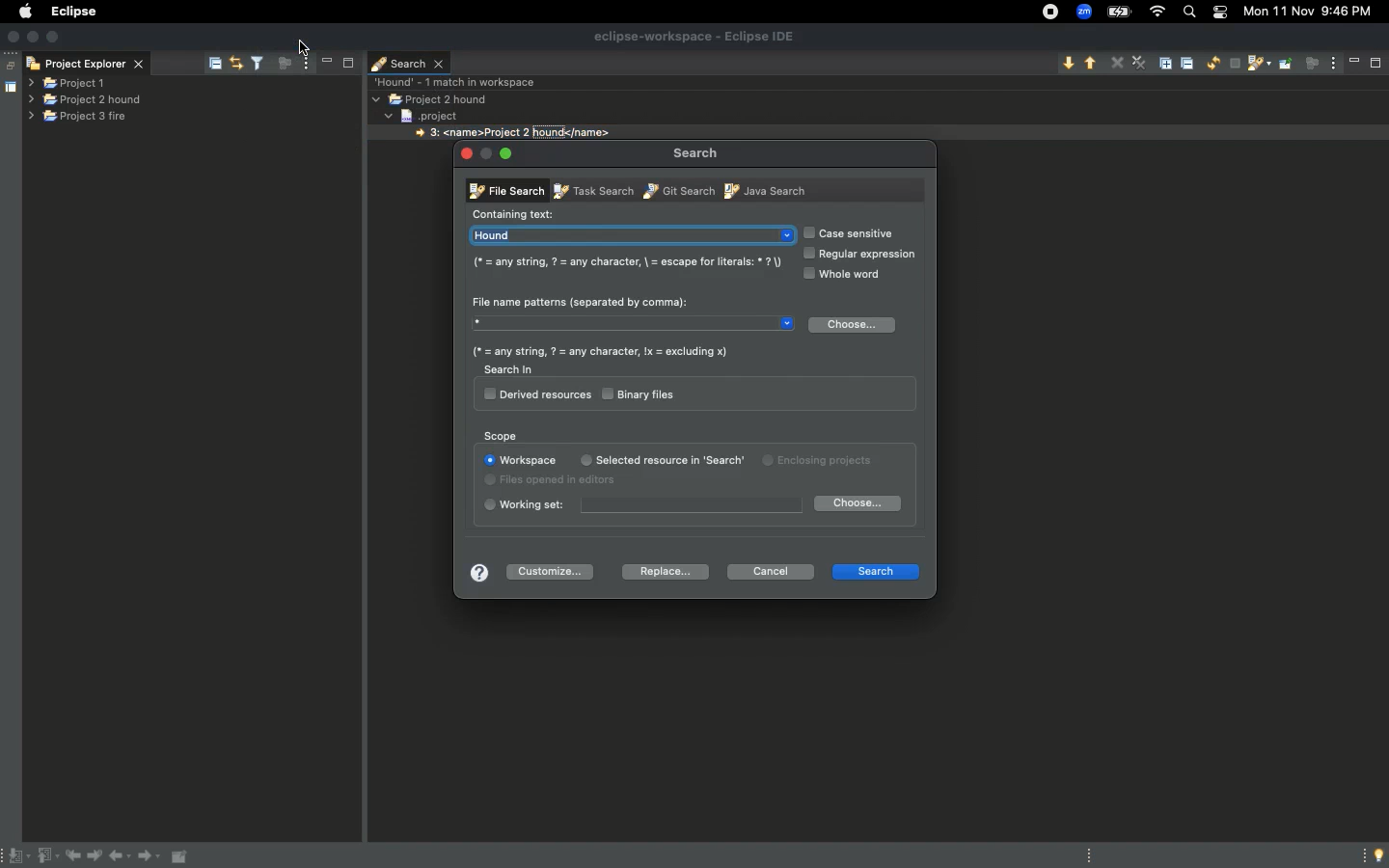 This screenshot has width=1389, height=868. I want to click on Forward, so click(150, 858).